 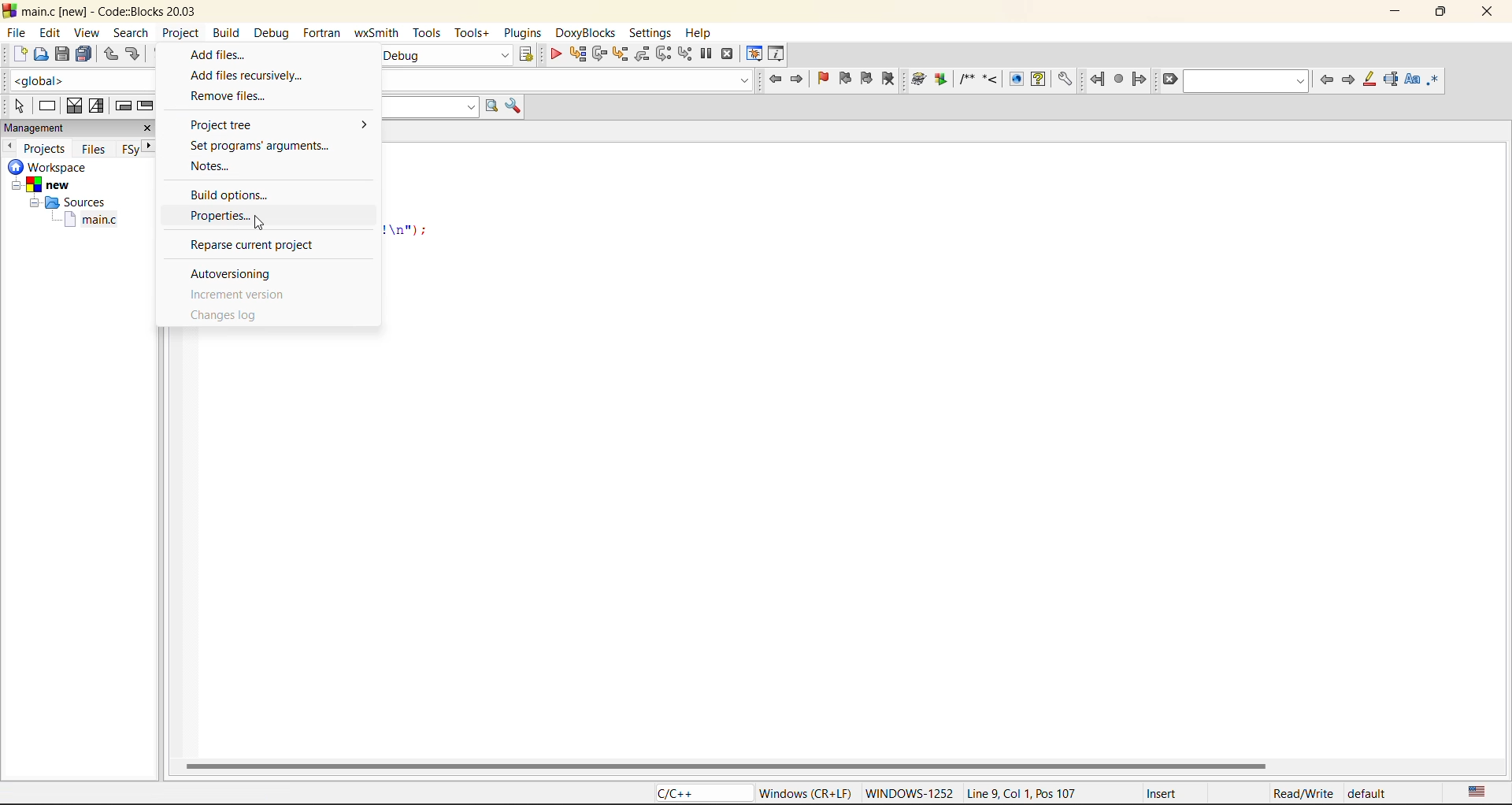 What do you see at coordinates (50, 106) in the screenshot?
I see `instruction` at bounding box center [50, 106].